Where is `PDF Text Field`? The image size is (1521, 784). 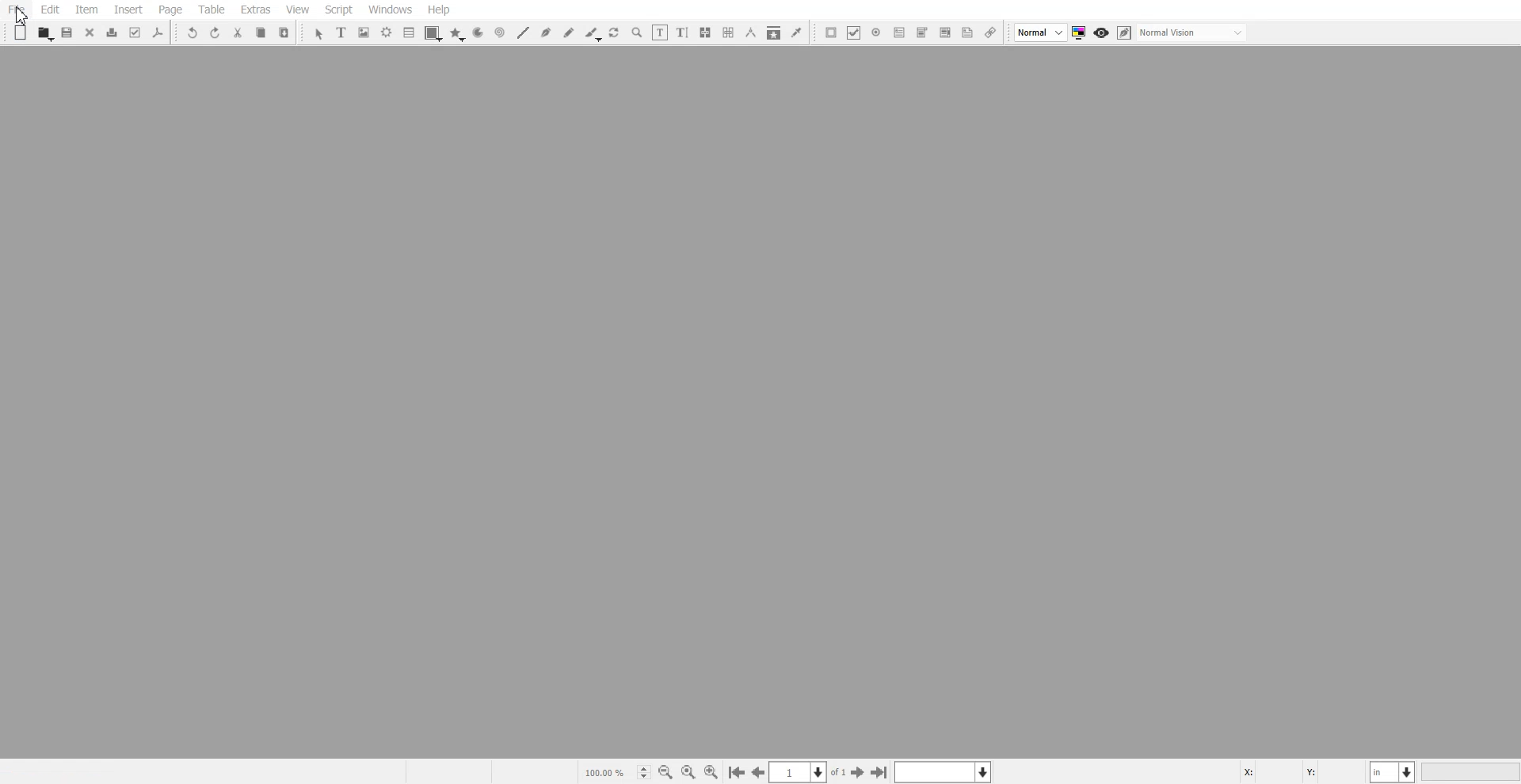
PDF Text Field is located at coordinates (899, 32).